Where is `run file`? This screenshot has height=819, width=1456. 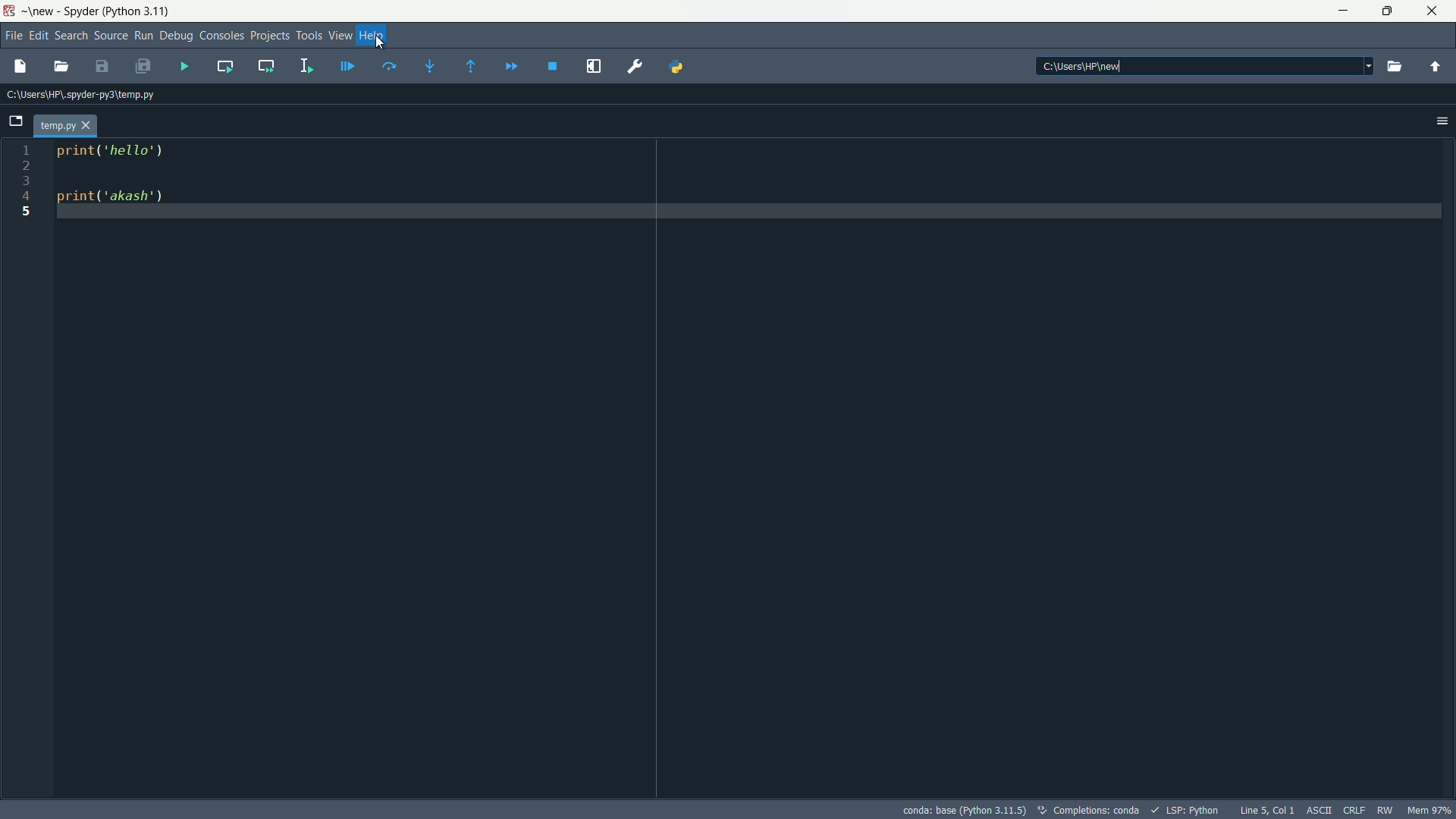 run file is located at coordinates (185, 67).